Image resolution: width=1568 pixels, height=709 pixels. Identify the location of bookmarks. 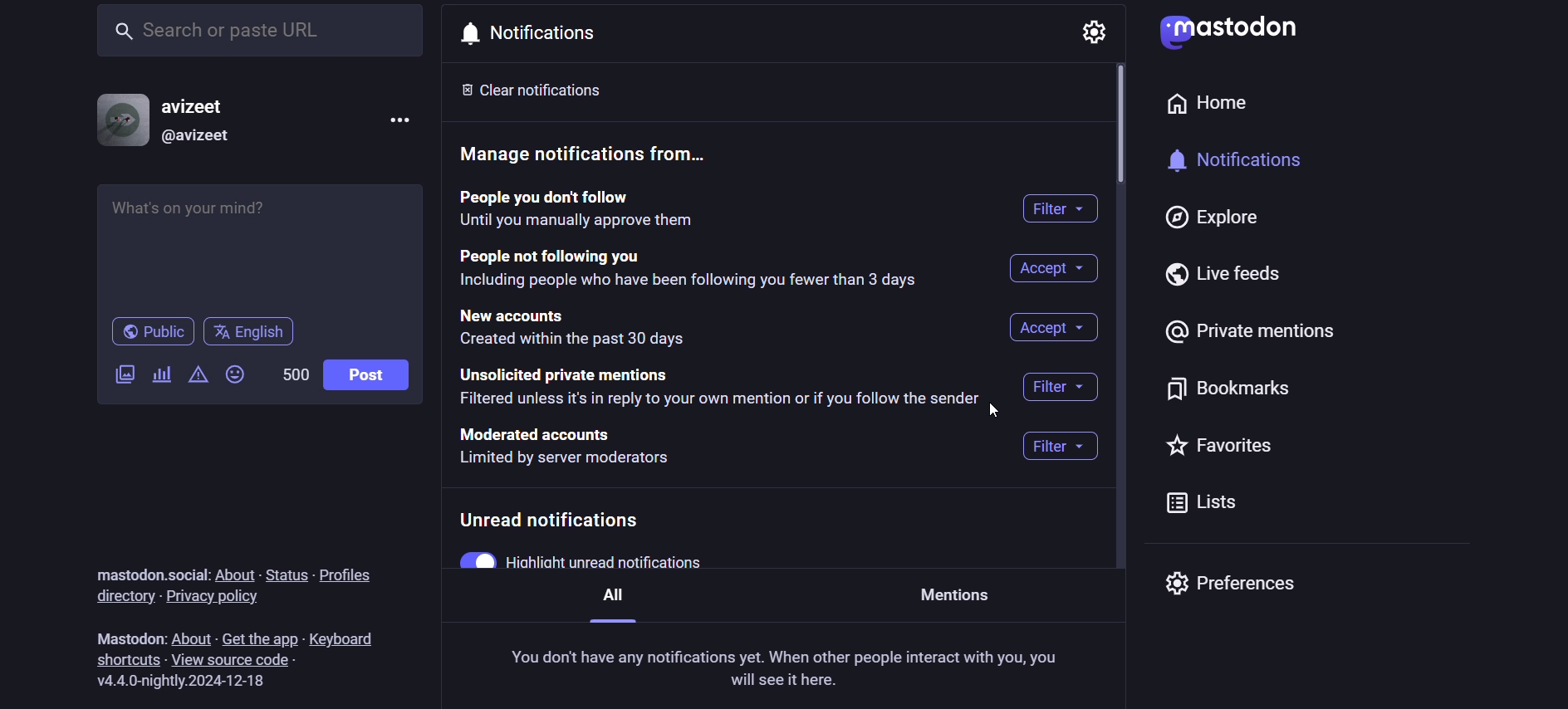
(1232, 388).